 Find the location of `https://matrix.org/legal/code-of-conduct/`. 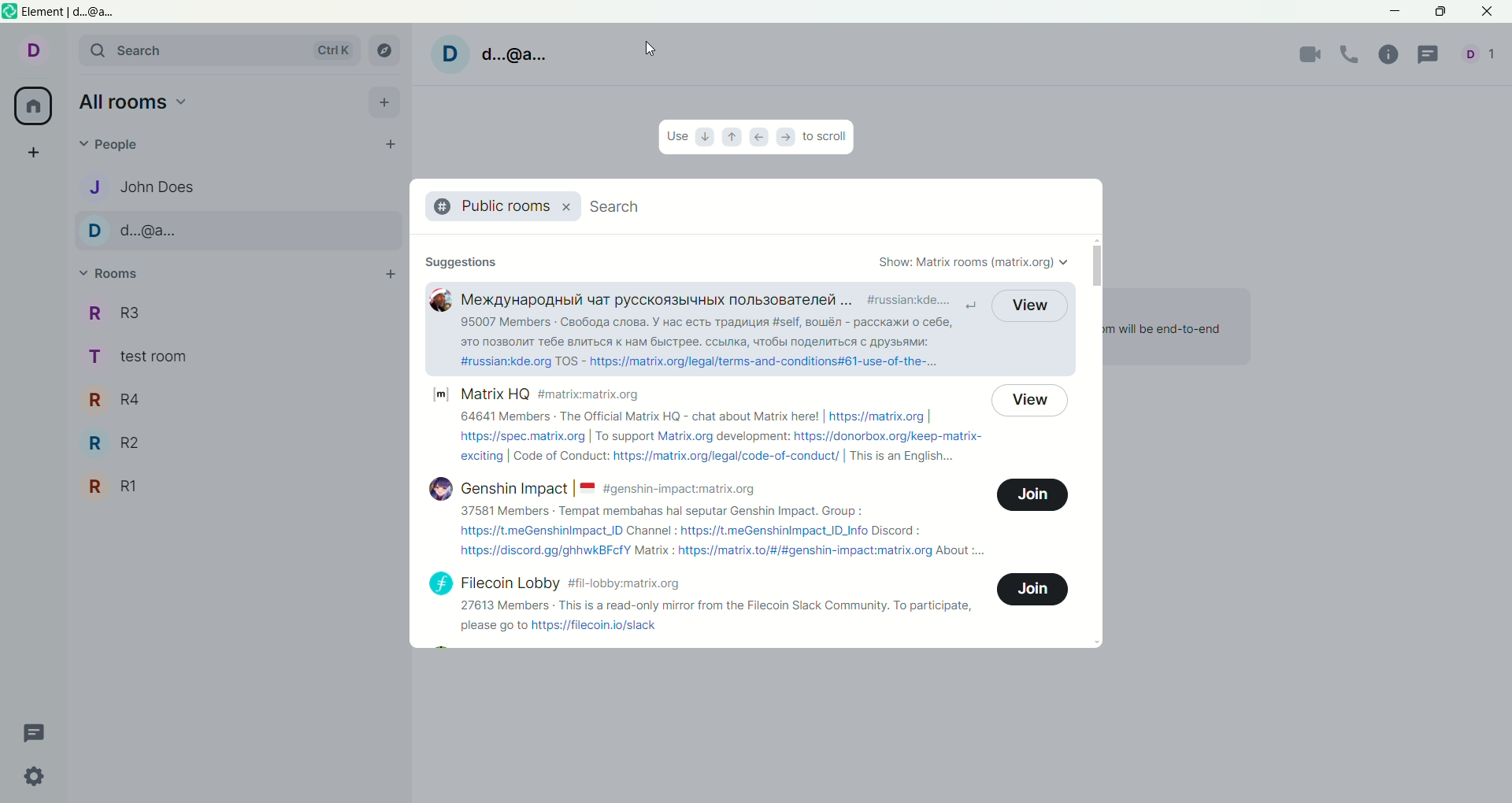

https://matrix.org/legal/code-of-conduct/ is located at coordinates (727, 457).